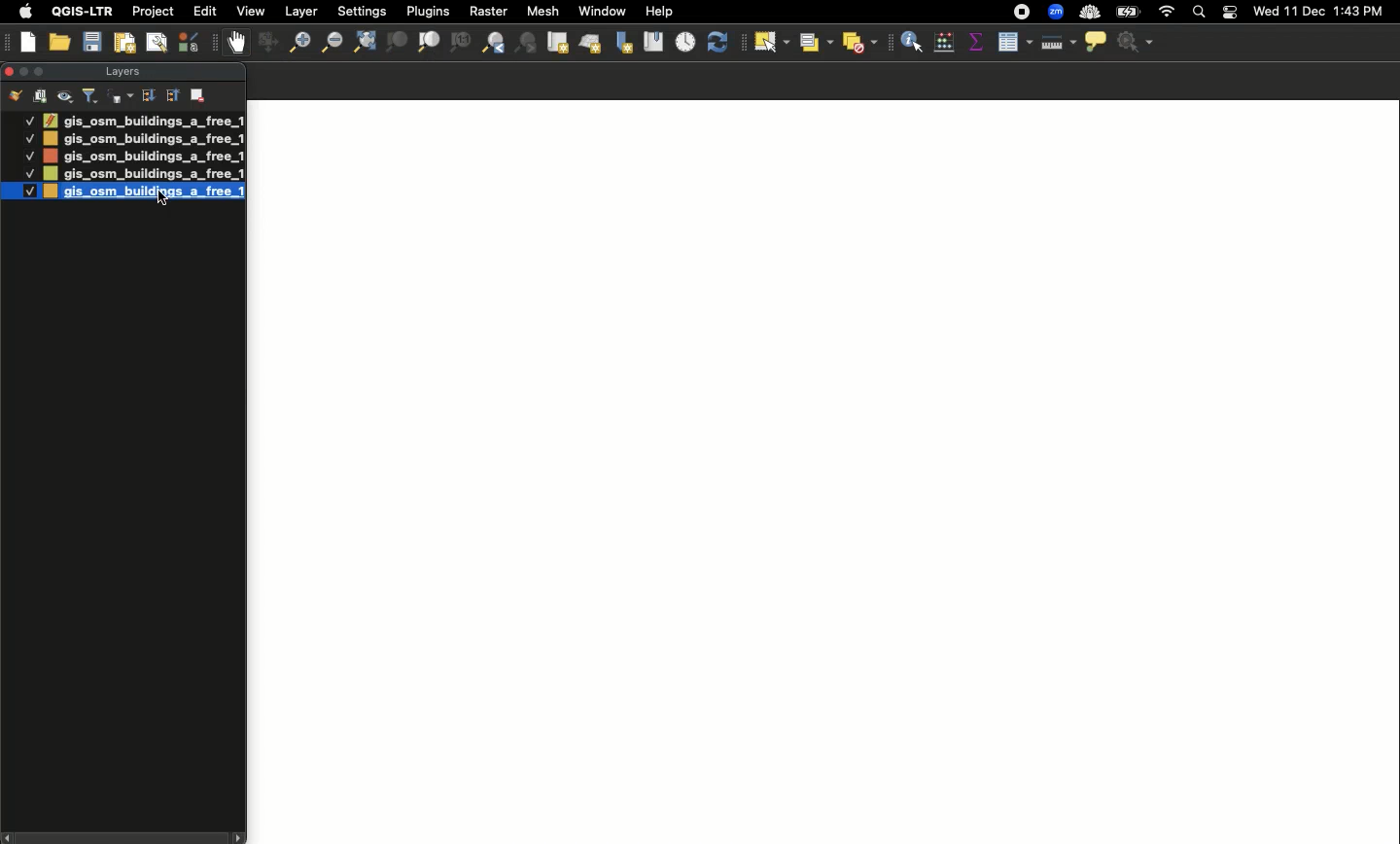  Describe the element at coordinates (659, 12) in the screenshot. I see `Help` at that location.